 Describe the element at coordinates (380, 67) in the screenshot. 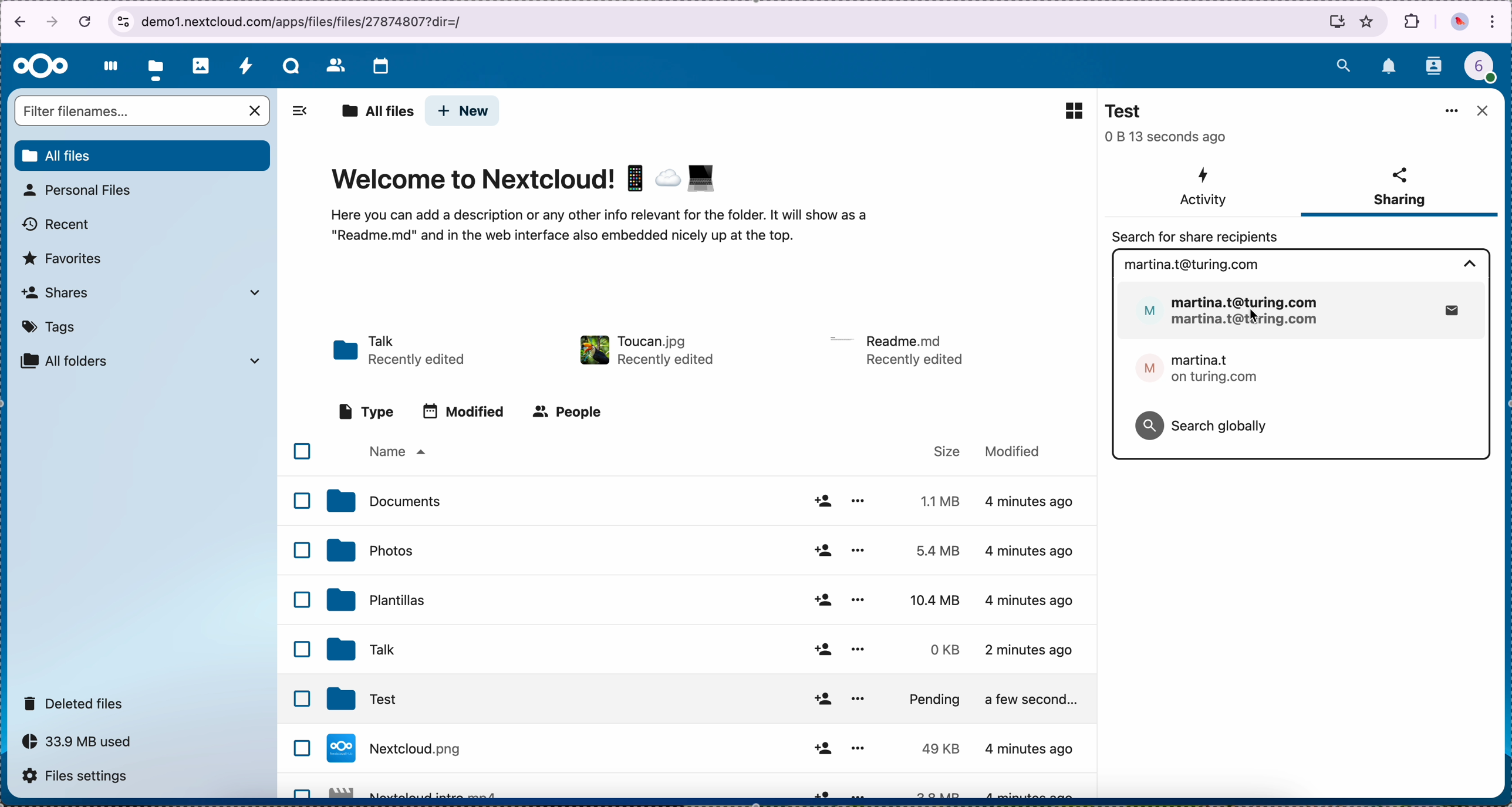

I see `calendar` at that location.